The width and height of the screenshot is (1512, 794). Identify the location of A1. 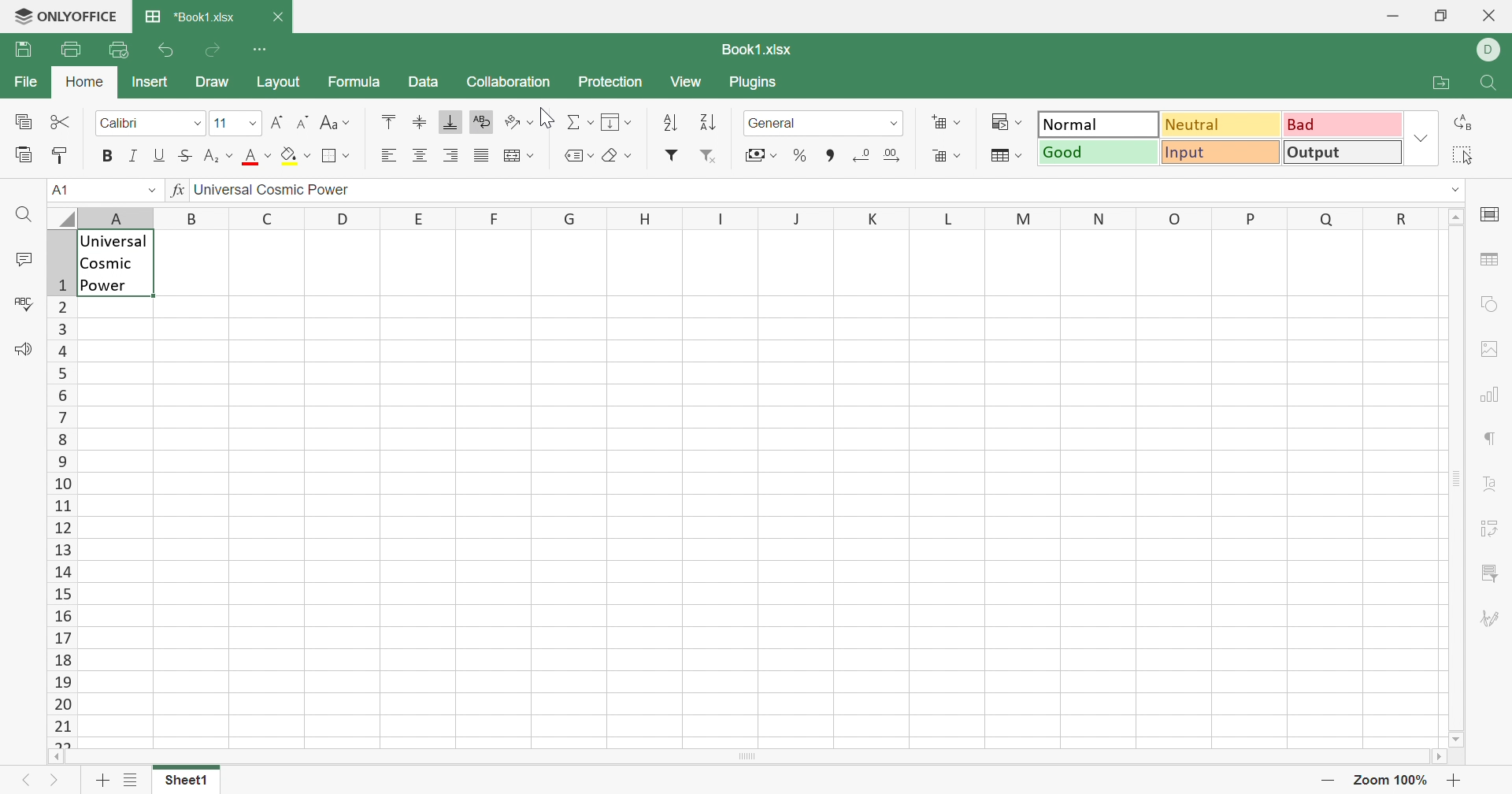
(62, 191).